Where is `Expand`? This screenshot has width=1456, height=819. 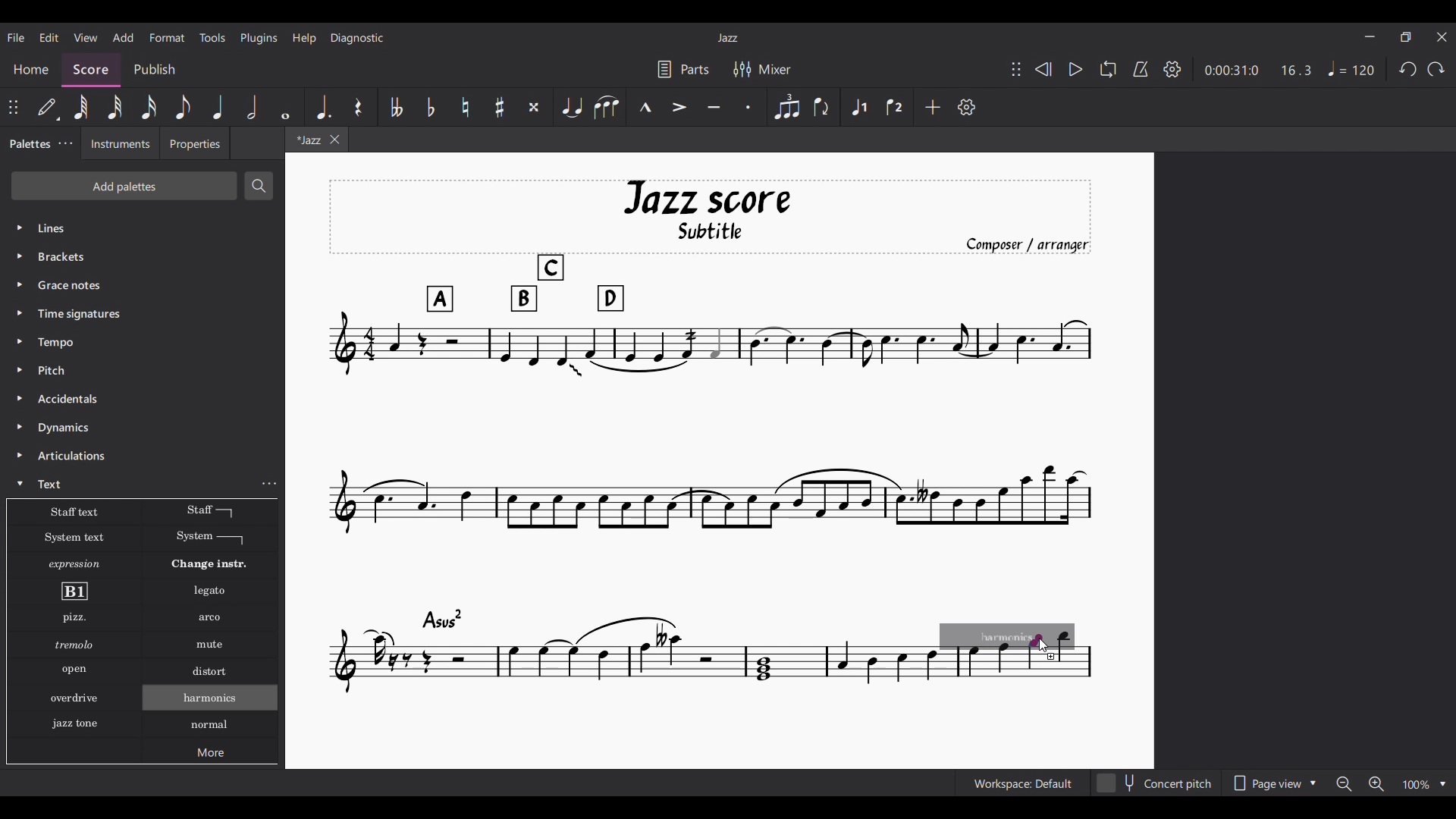
Expand is located at coordinates (22, 356).